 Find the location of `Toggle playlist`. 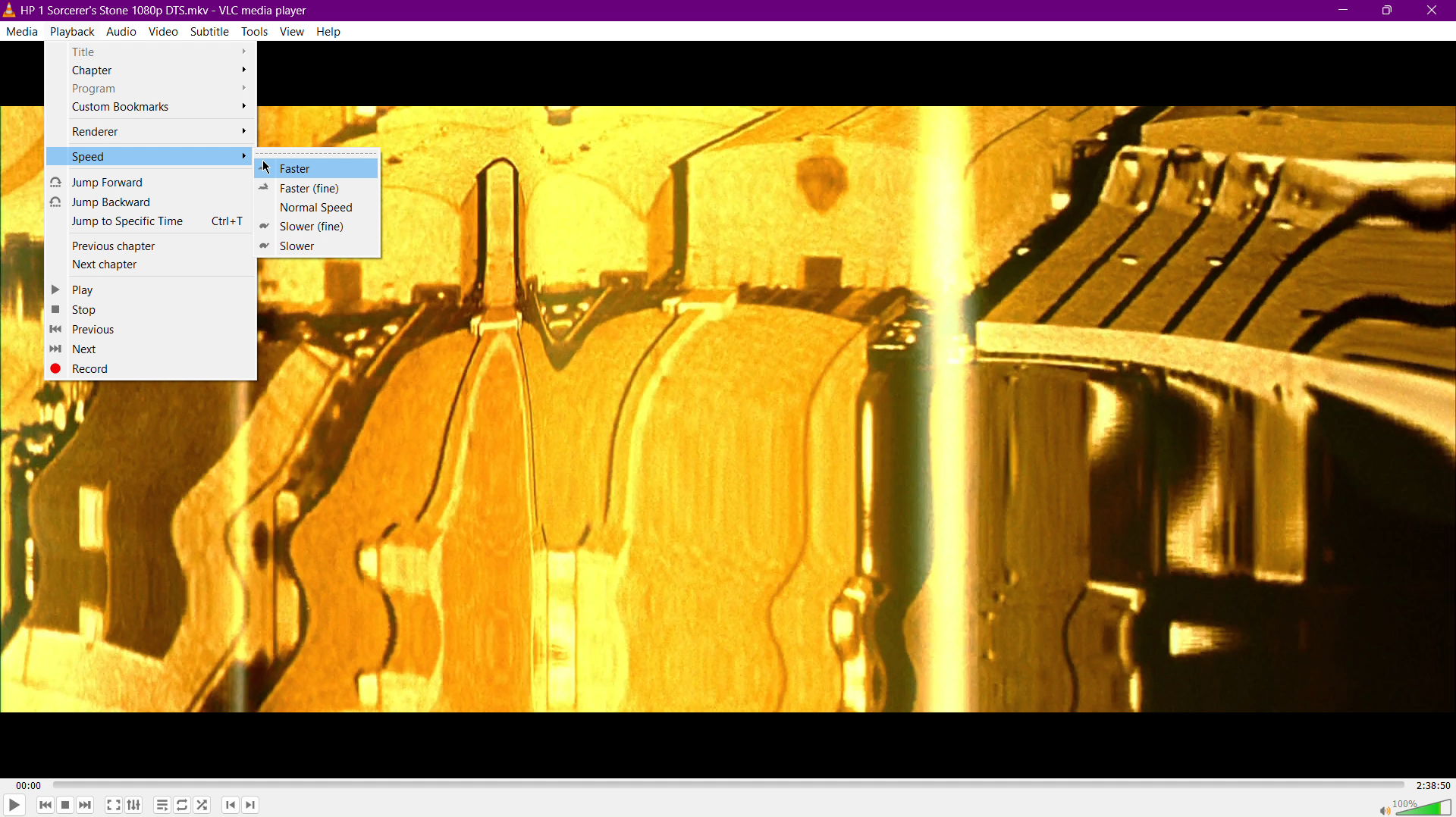

Toggle playlist is located at coordinates (160, 804).